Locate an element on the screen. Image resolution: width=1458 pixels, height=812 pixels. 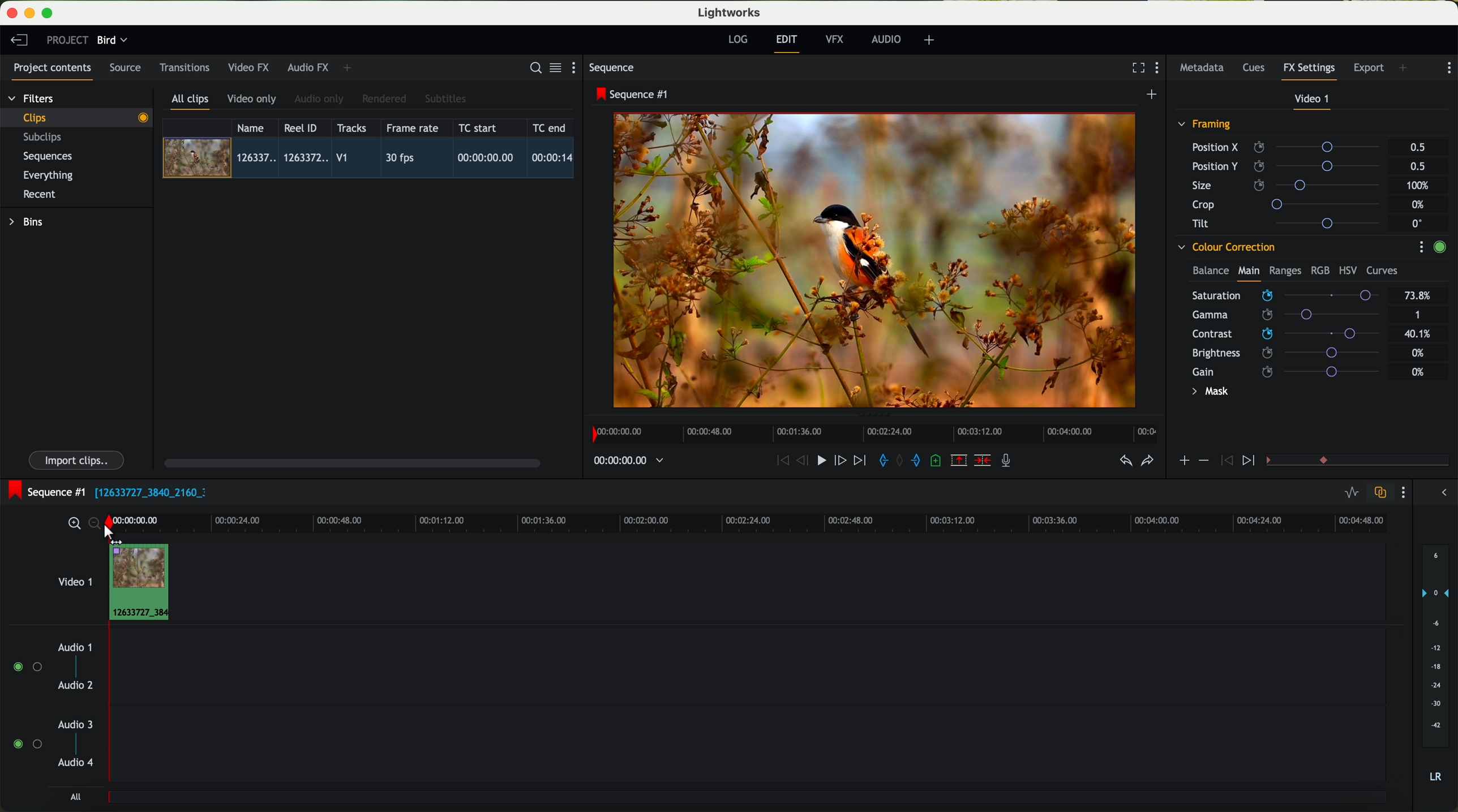
position X is located at coordinates (1290, 147).